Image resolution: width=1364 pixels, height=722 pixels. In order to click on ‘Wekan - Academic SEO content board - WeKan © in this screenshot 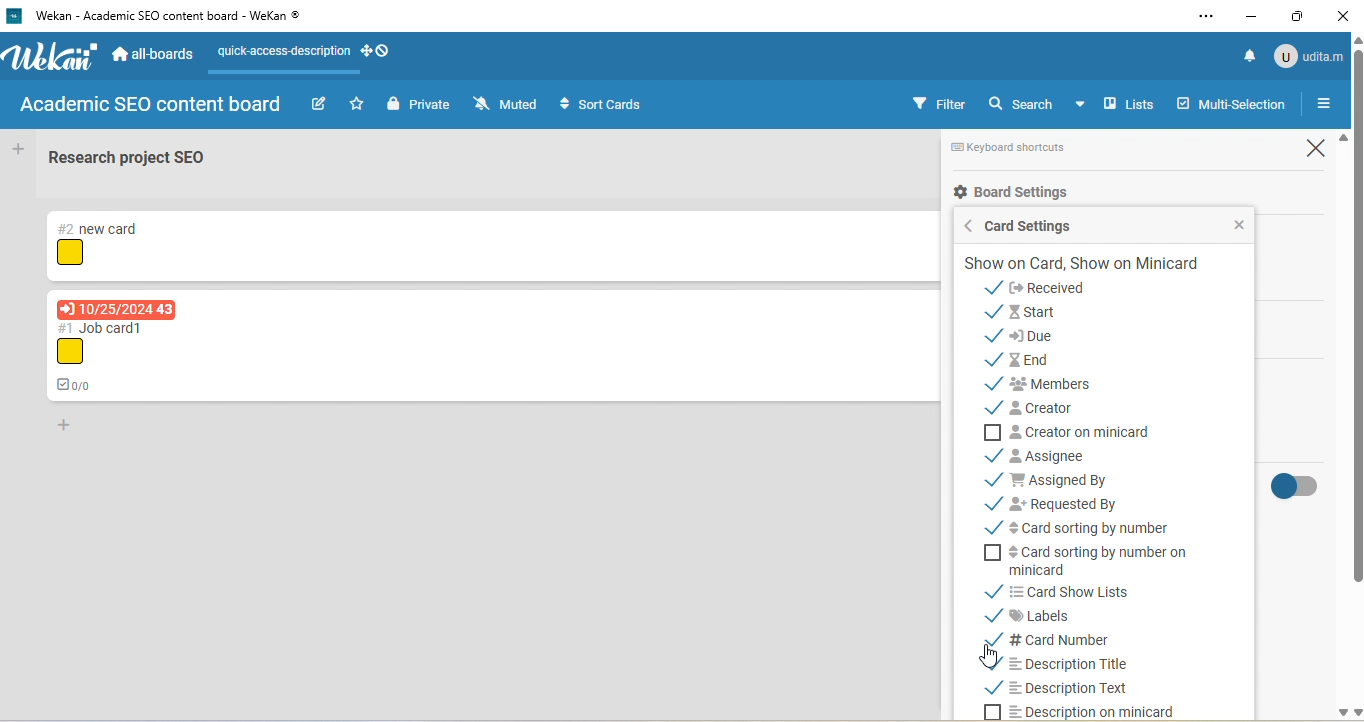, I will do `click(176, 16)`.